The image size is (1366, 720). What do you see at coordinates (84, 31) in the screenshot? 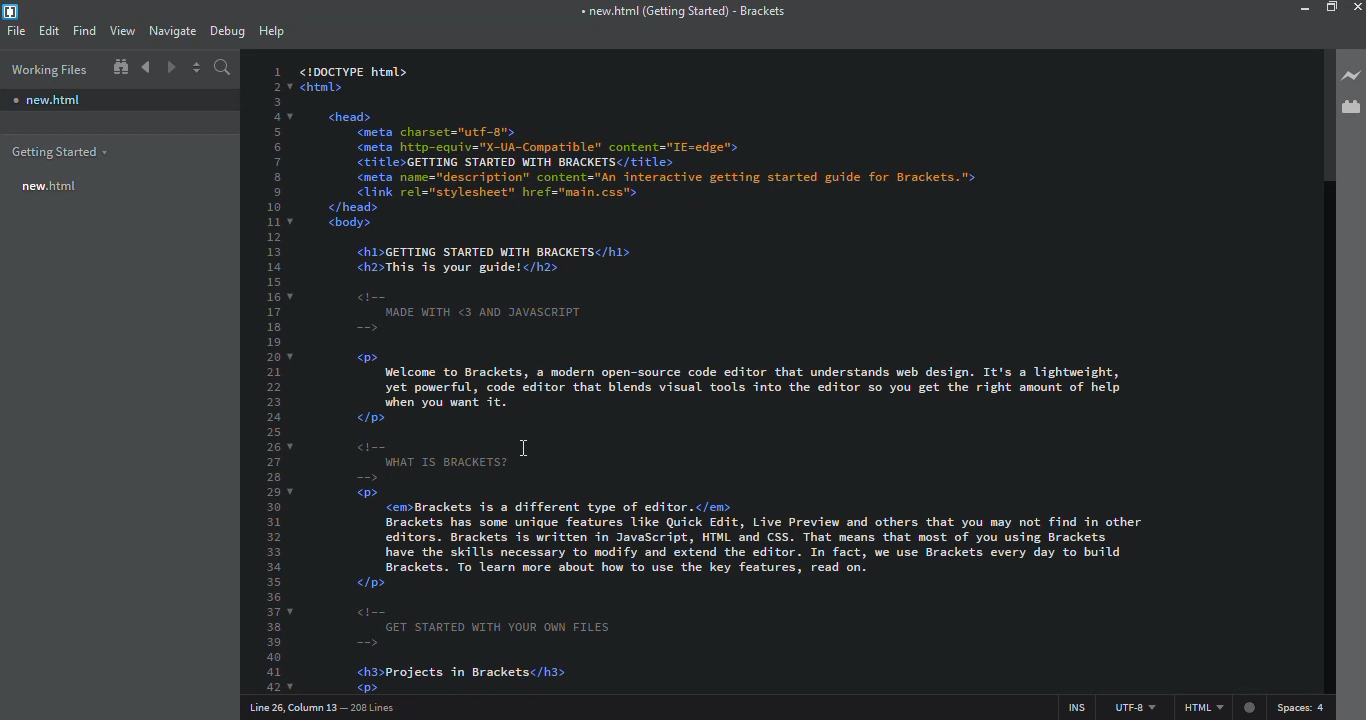
I see `find` at bounding box center [84, 31].